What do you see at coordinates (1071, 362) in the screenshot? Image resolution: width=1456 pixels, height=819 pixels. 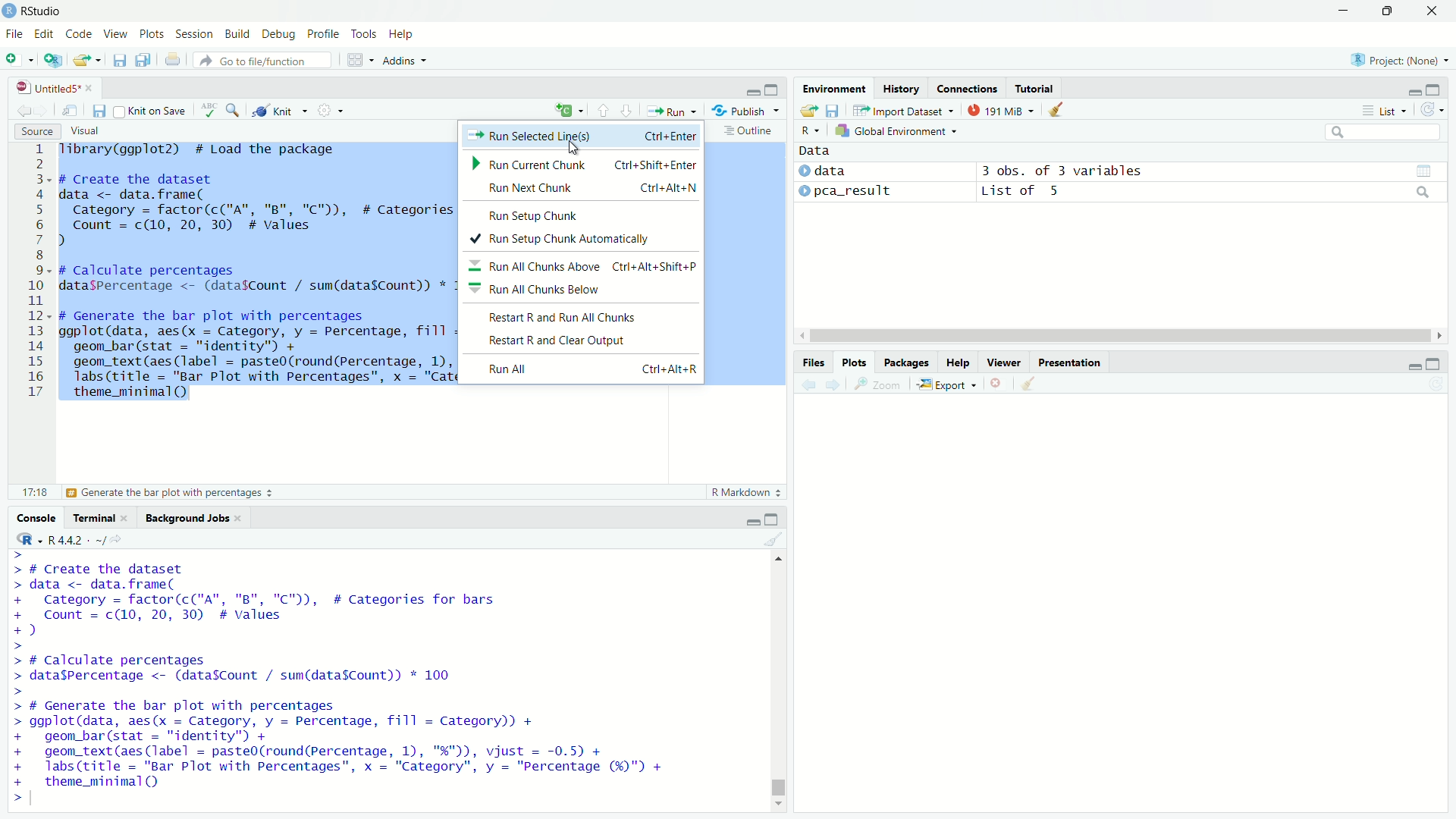 I see `presentation` at bounding box center [1071, 362].